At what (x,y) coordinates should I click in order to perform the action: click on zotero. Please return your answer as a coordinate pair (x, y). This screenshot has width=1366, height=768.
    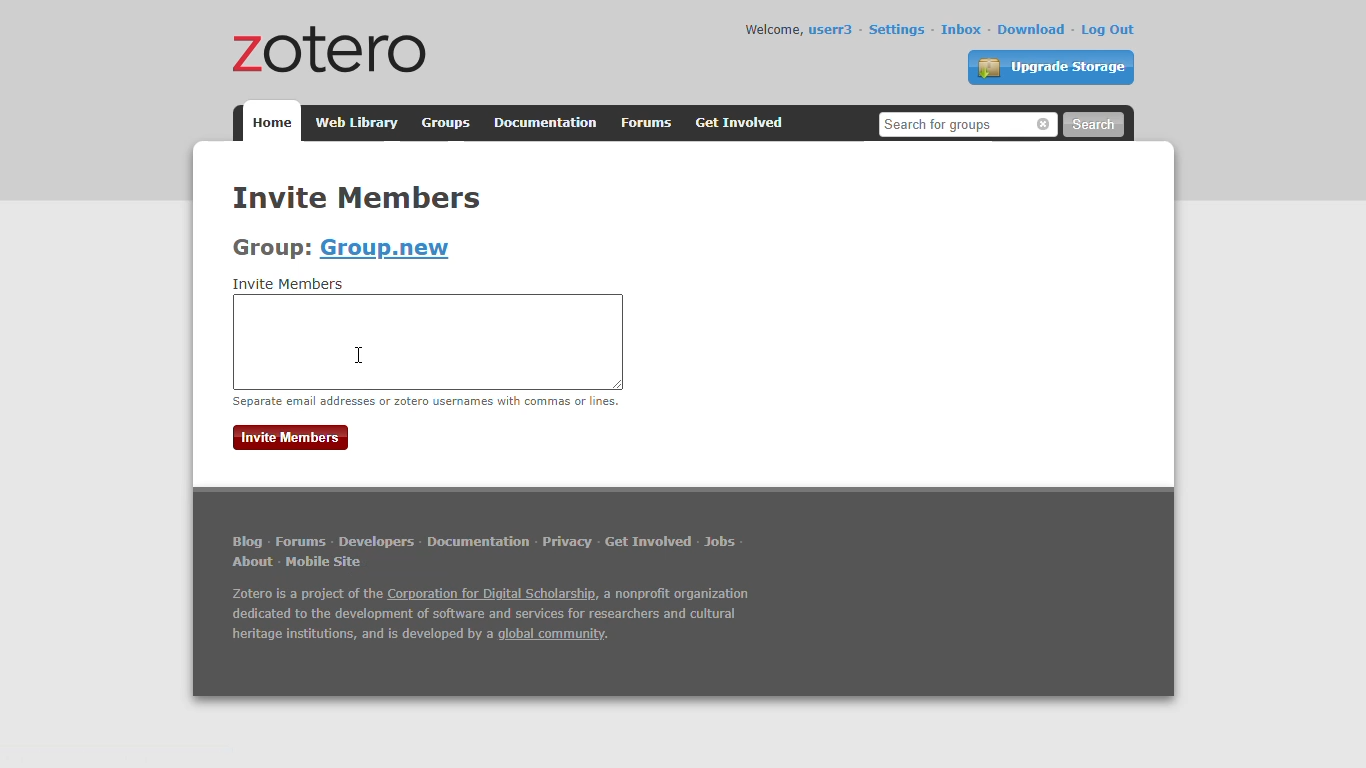
    Looking at the image, I should click on (323, 48).